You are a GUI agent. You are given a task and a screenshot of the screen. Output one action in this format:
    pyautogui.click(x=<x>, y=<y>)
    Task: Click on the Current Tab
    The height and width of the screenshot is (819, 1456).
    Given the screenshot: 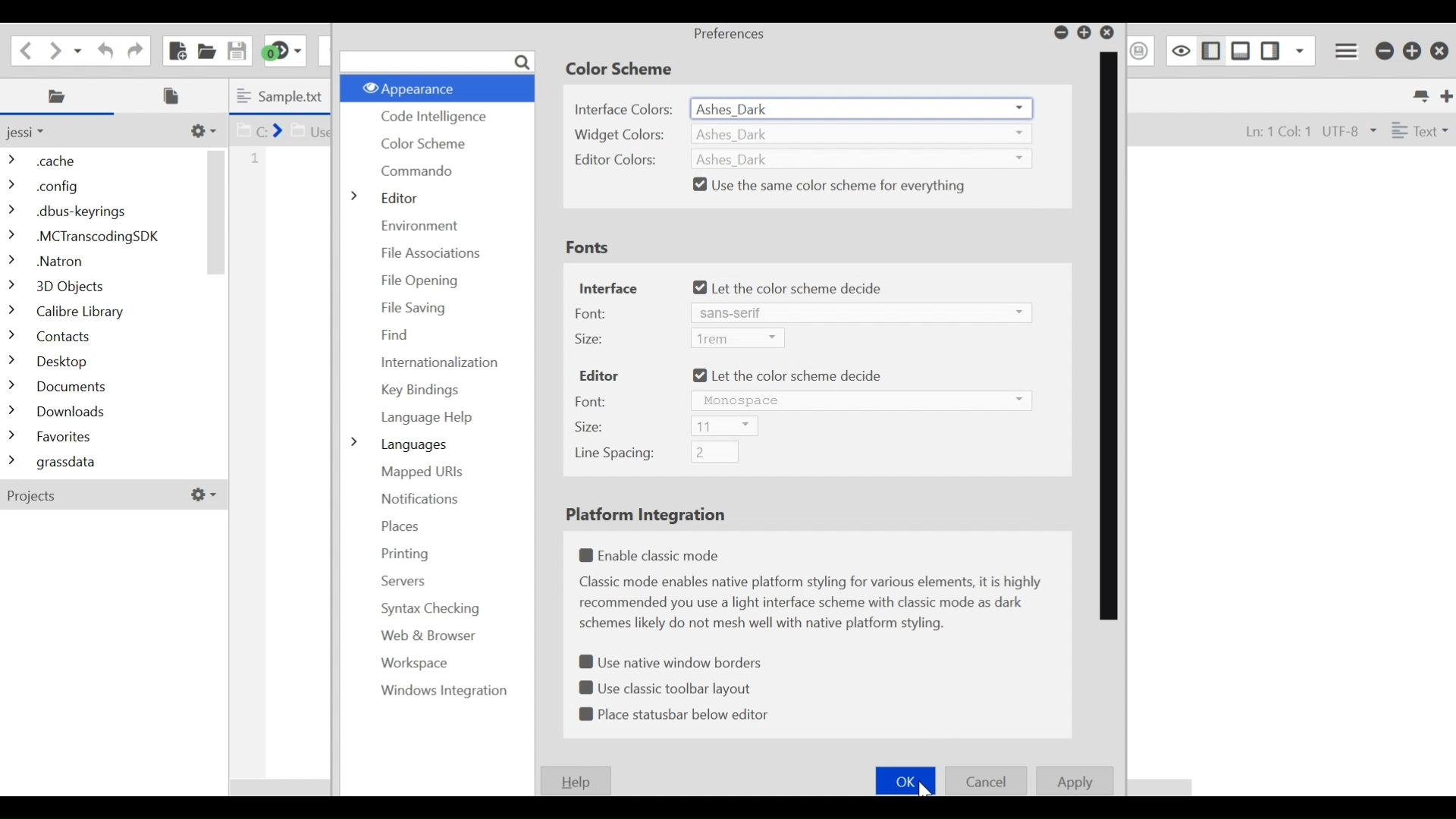 What is the action you would take?
    pyautogui.click(x=283, y=96)
    